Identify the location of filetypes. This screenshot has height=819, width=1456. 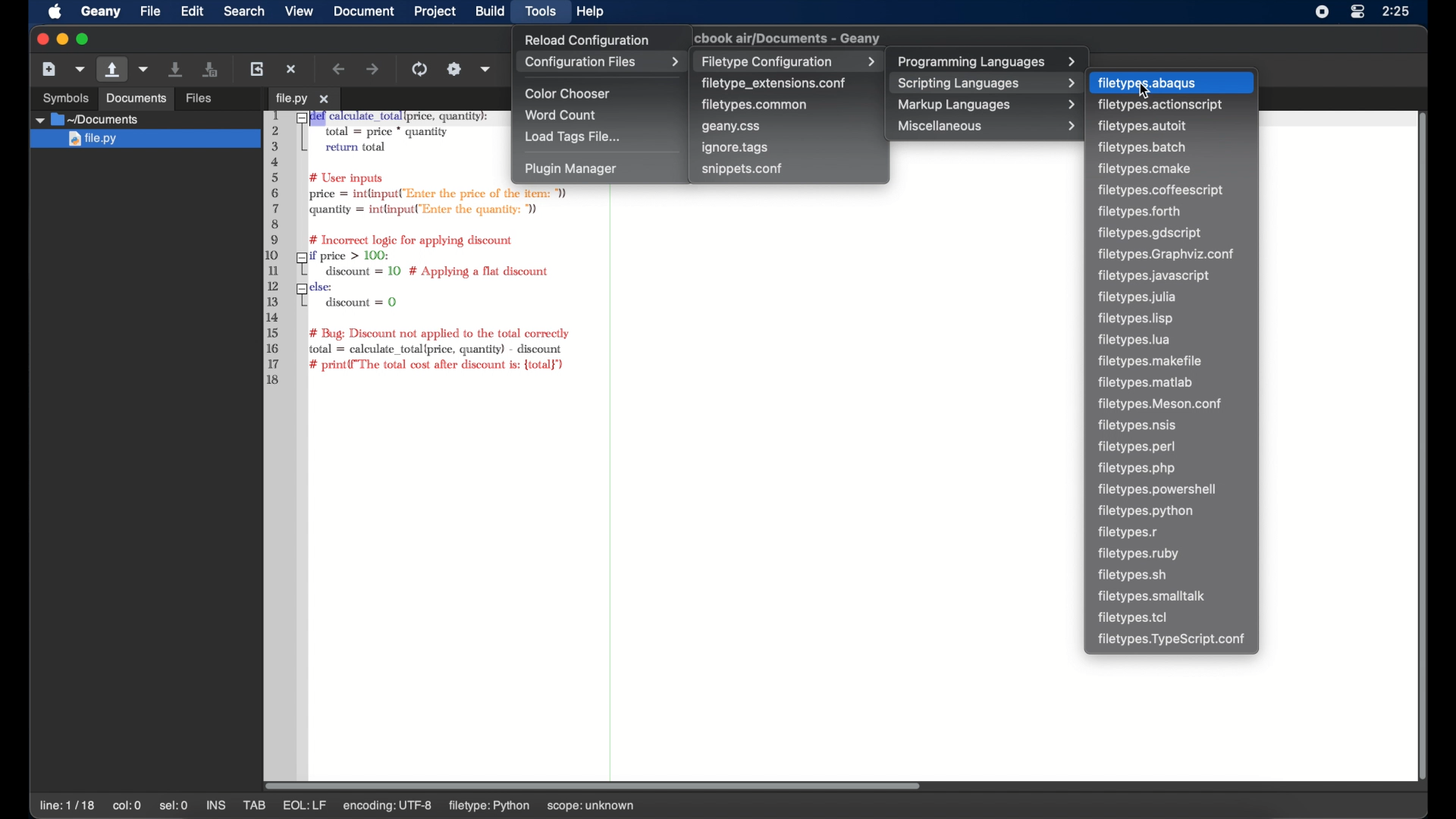
(1146, 512).